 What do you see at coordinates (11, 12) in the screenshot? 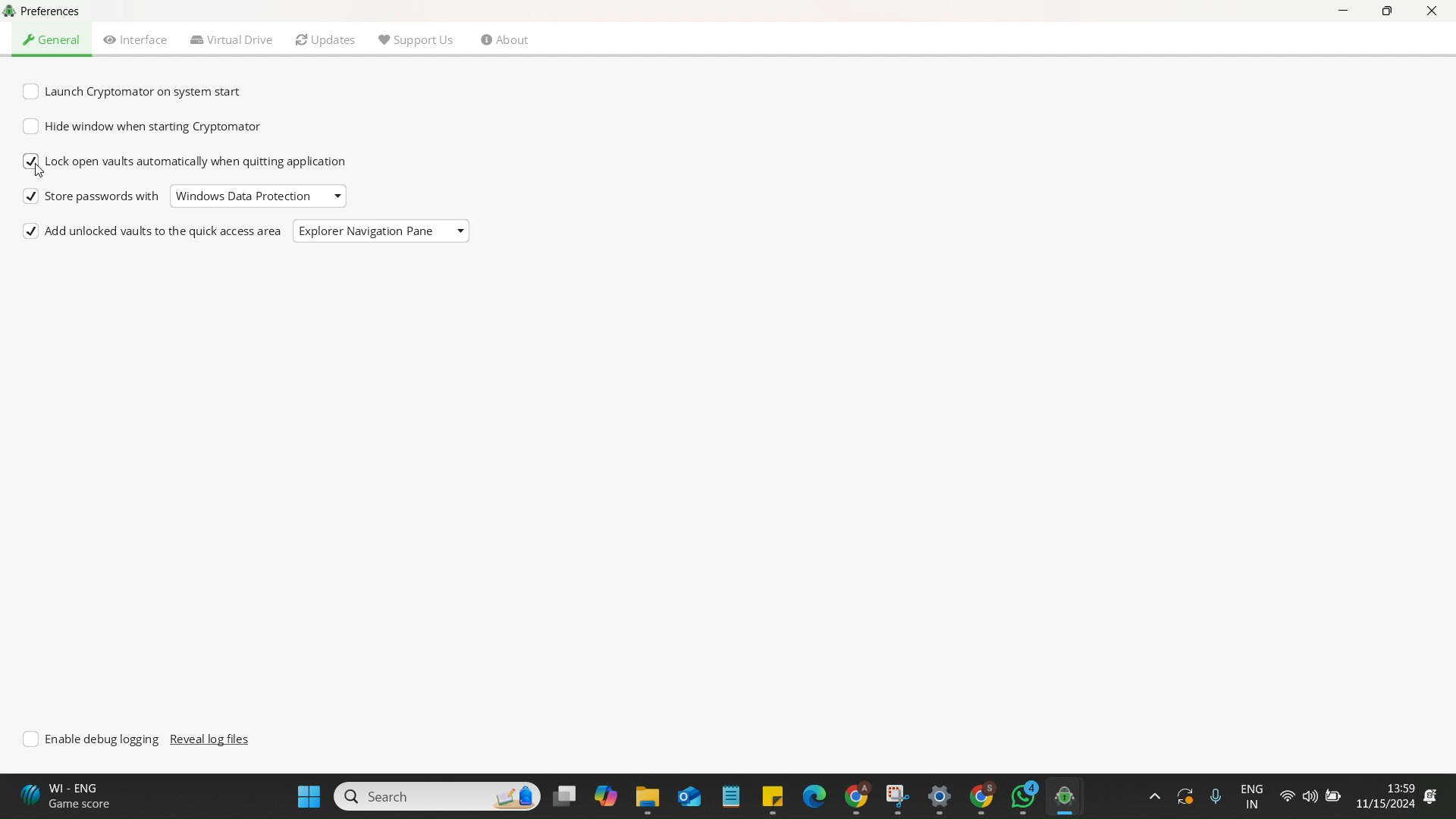
I see `Logo` at bounding box center [11, 12].